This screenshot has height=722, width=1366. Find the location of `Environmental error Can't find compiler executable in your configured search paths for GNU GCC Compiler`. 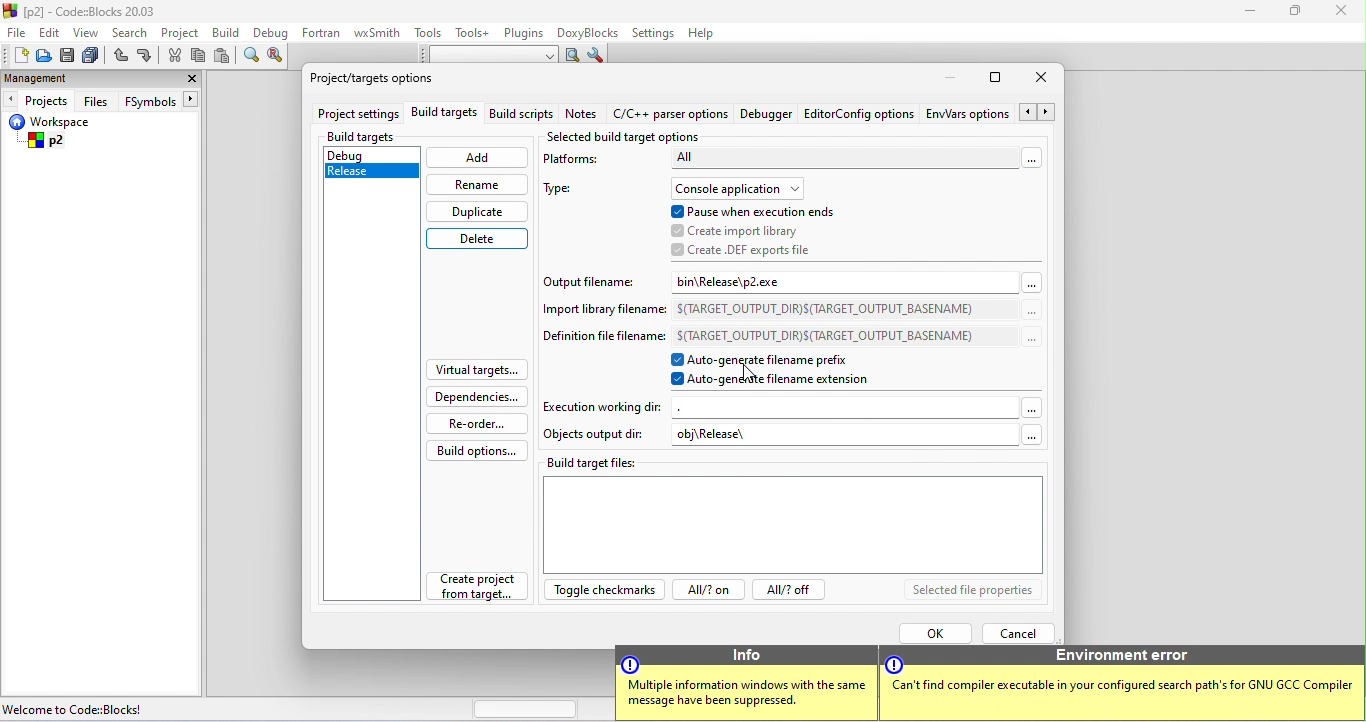

Environmental error Can't find compiler executable in your configured search paths for GNU GCC Compiler is located at coordinates (1116, 682).